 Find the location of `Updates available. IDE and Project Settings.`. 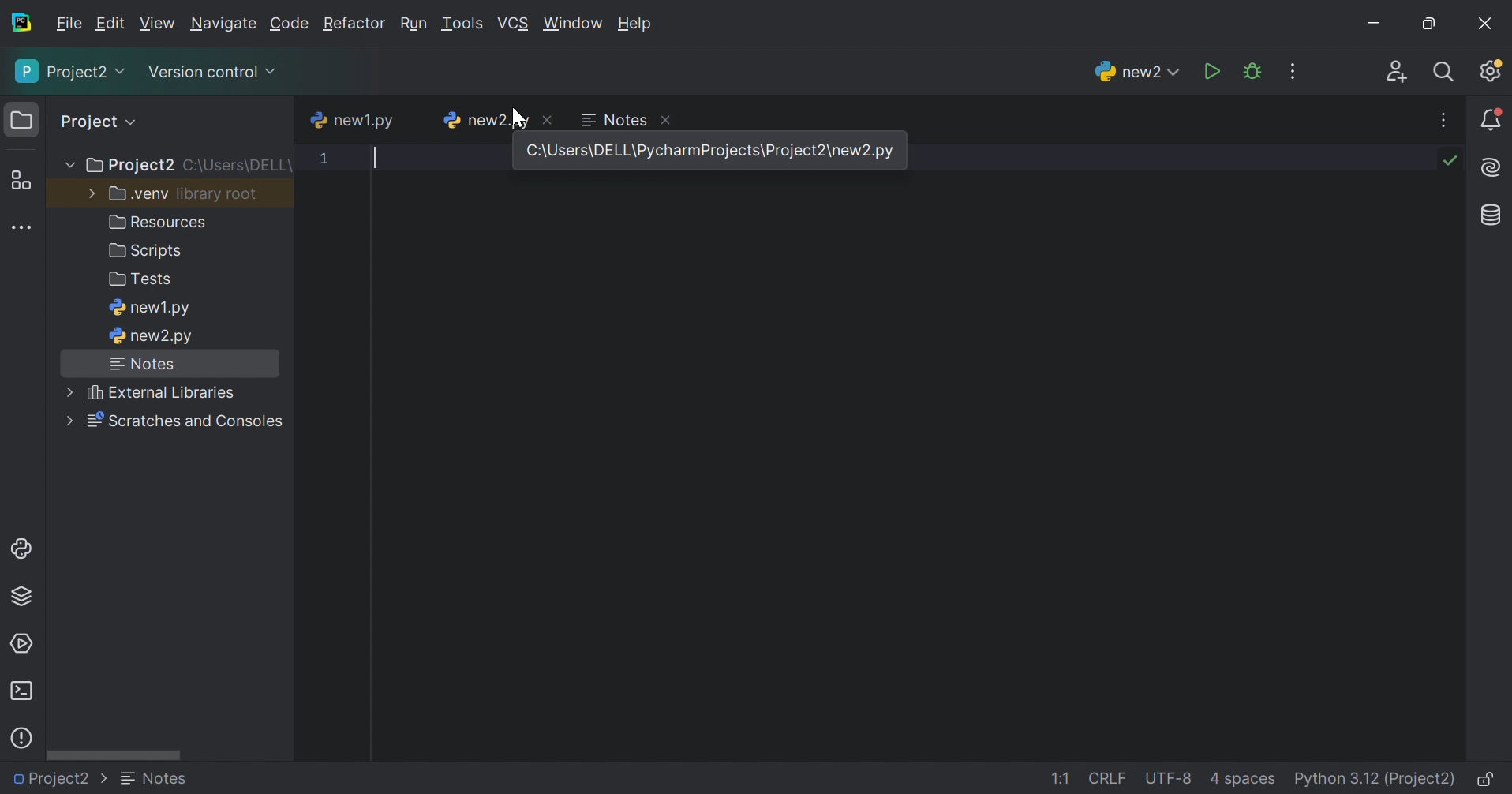

Updates available. IDE and Project Settings. is located at coordinates (1295, 71).